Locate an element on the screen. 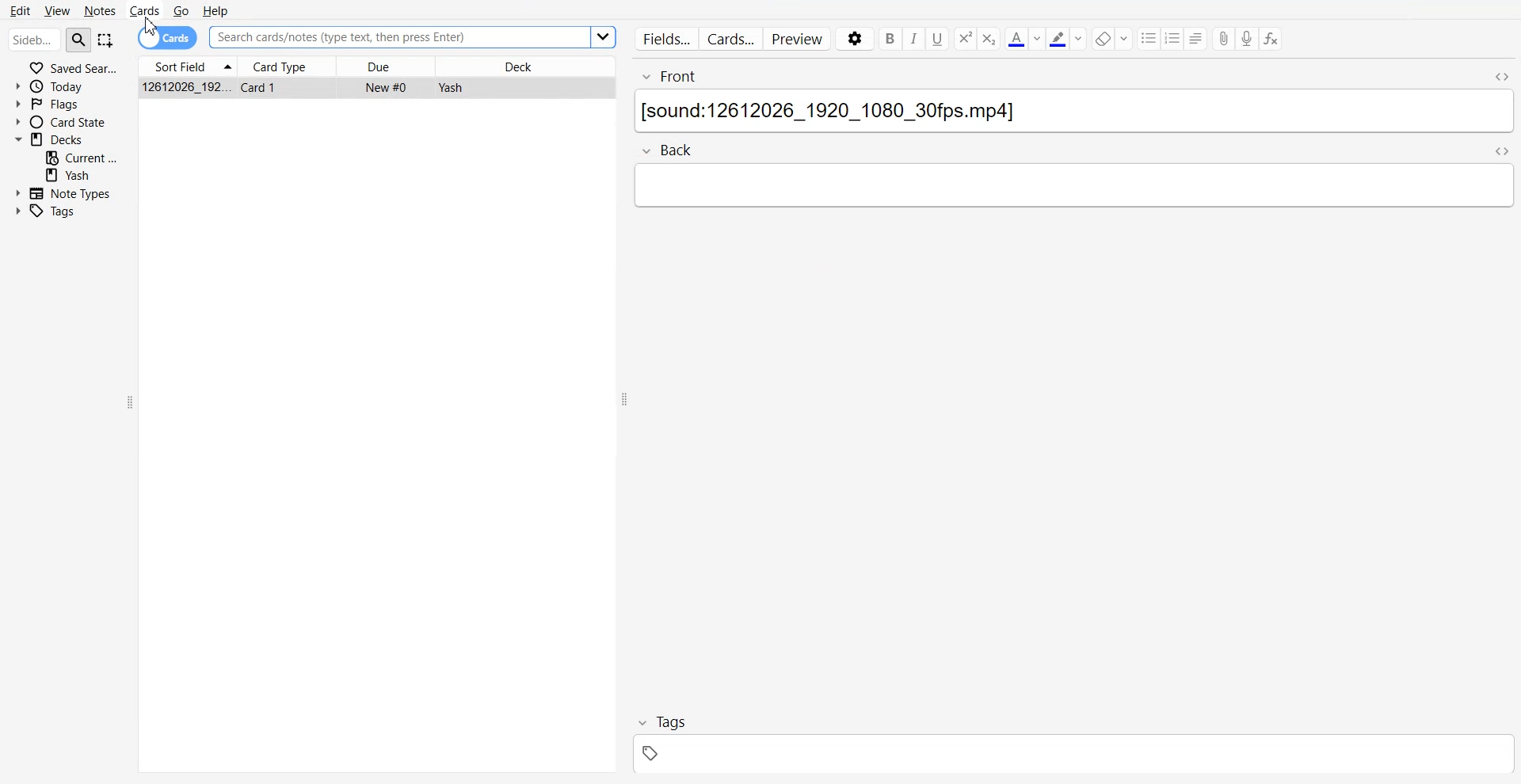  Tag is located at coordinates (664, 722).